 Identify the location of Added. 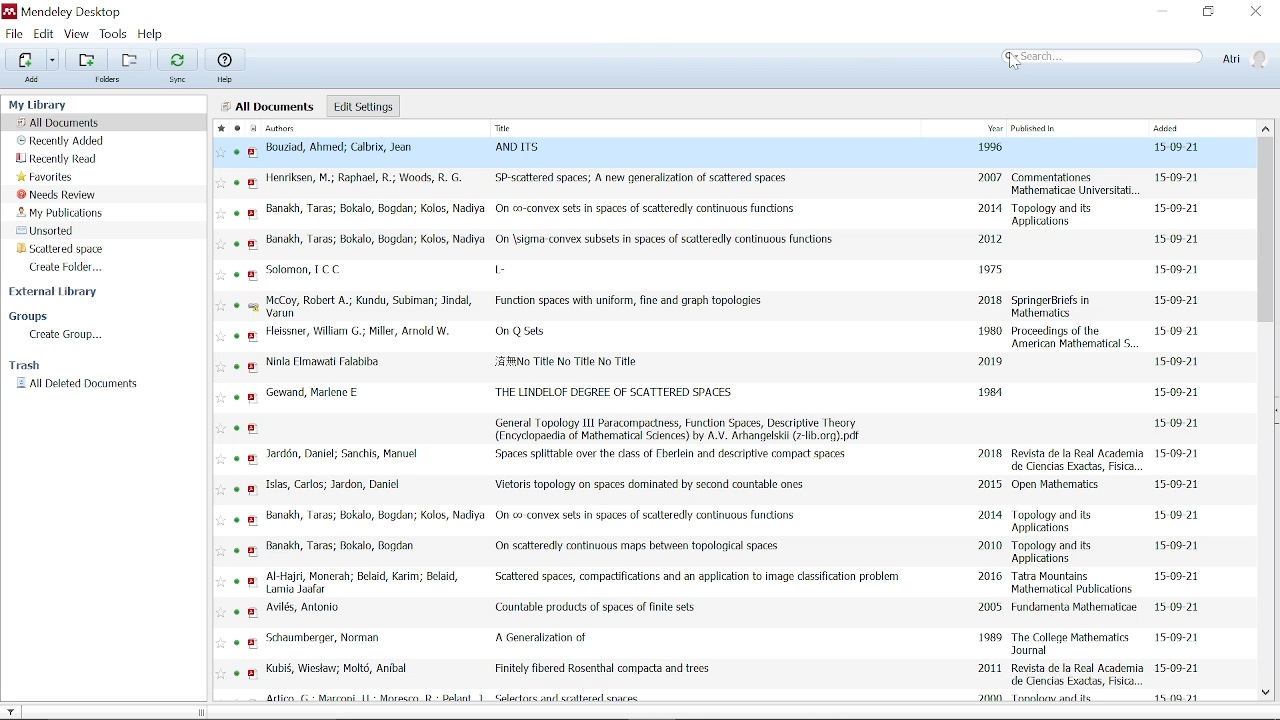
(1195, 128).